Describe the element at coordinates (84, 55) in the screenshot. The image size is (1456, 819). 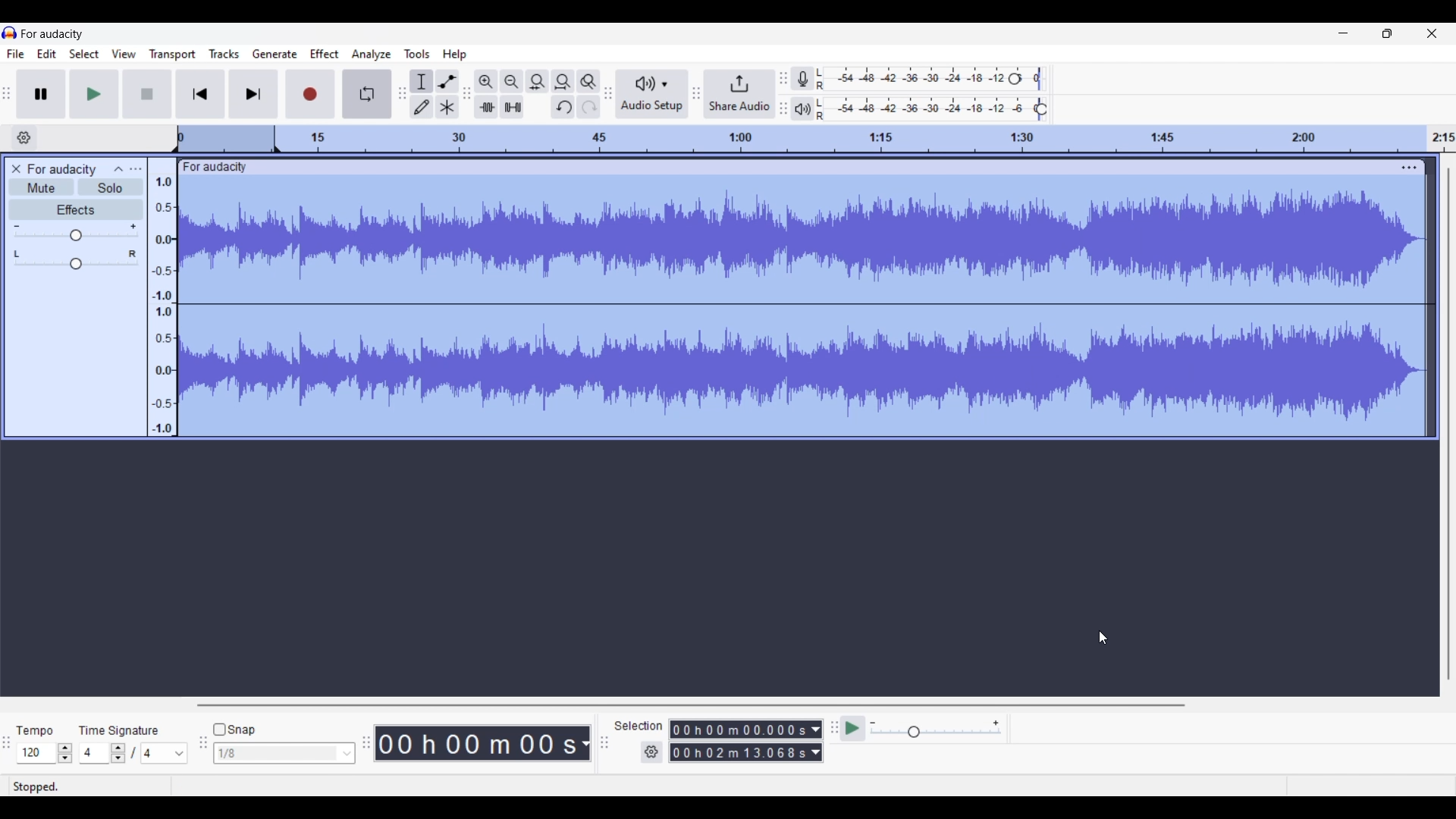
I see `Select menu` at that location.